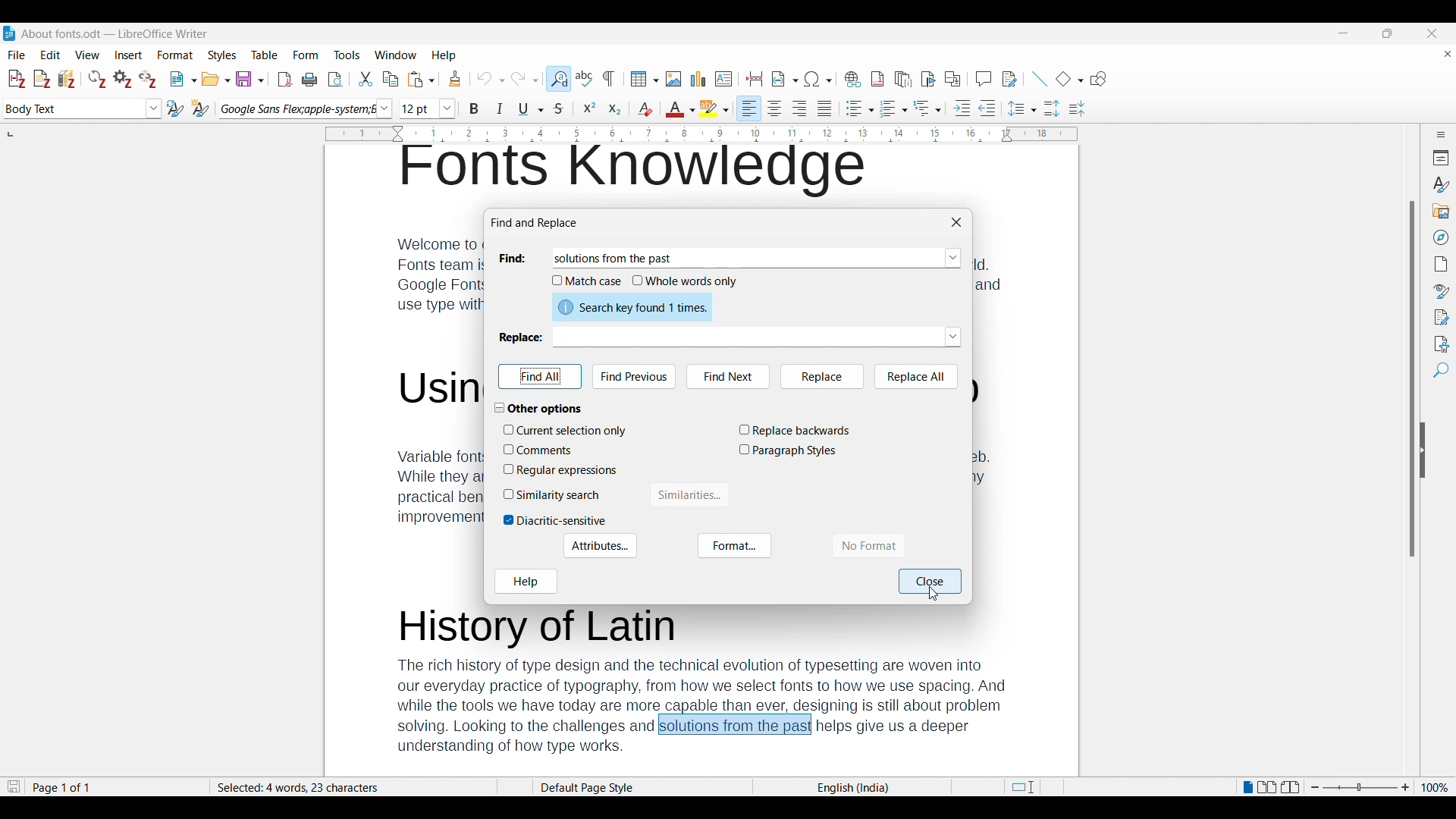  Describe the element at coordinates (1022, 787) in the screenshot. I see `Standard selection` at that location.